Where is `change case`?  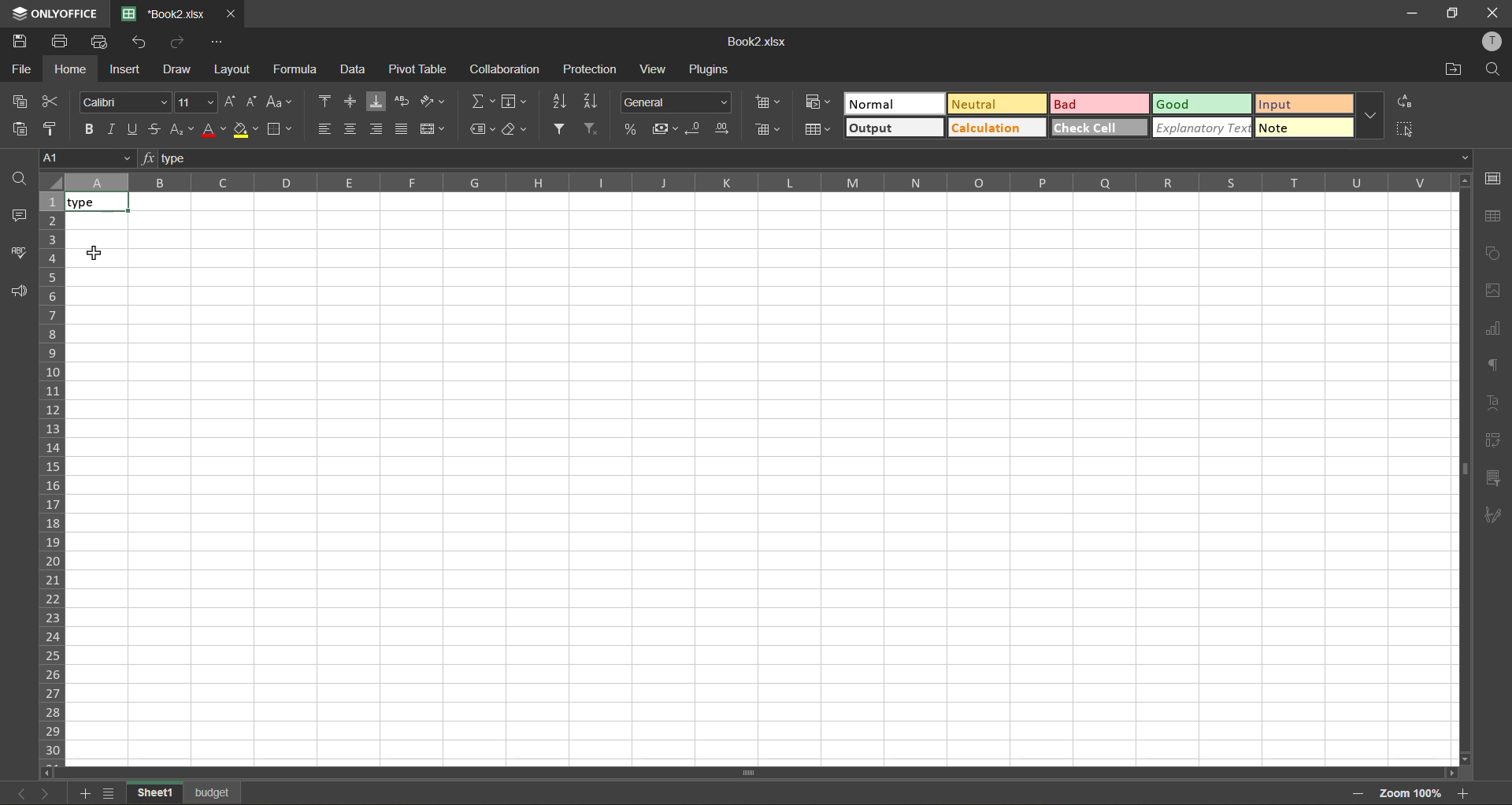 change case is located at coordinates (283, 103).